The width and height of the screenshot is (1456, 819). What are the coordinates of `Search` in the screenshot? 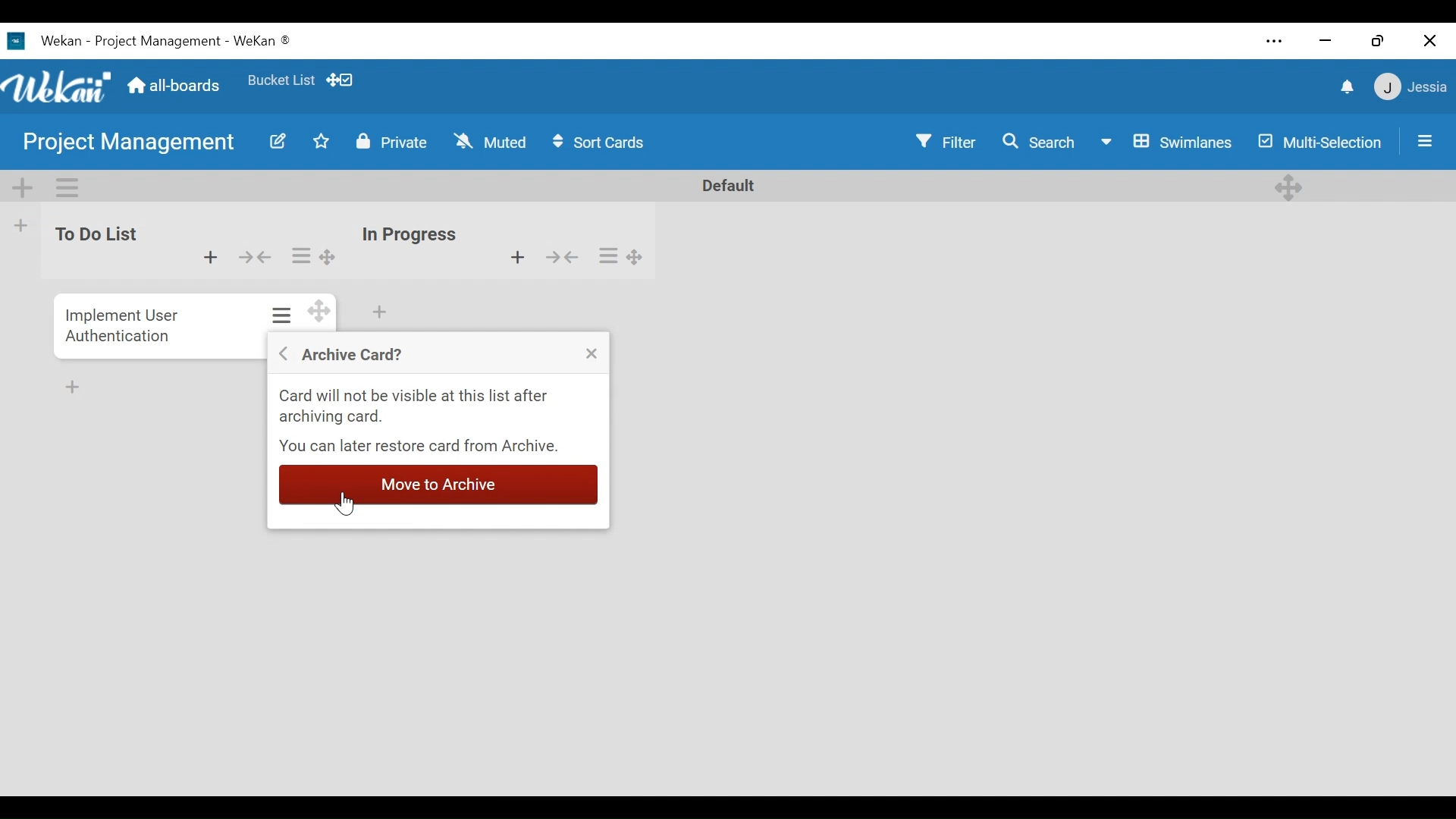 It's located at (1044, 142).